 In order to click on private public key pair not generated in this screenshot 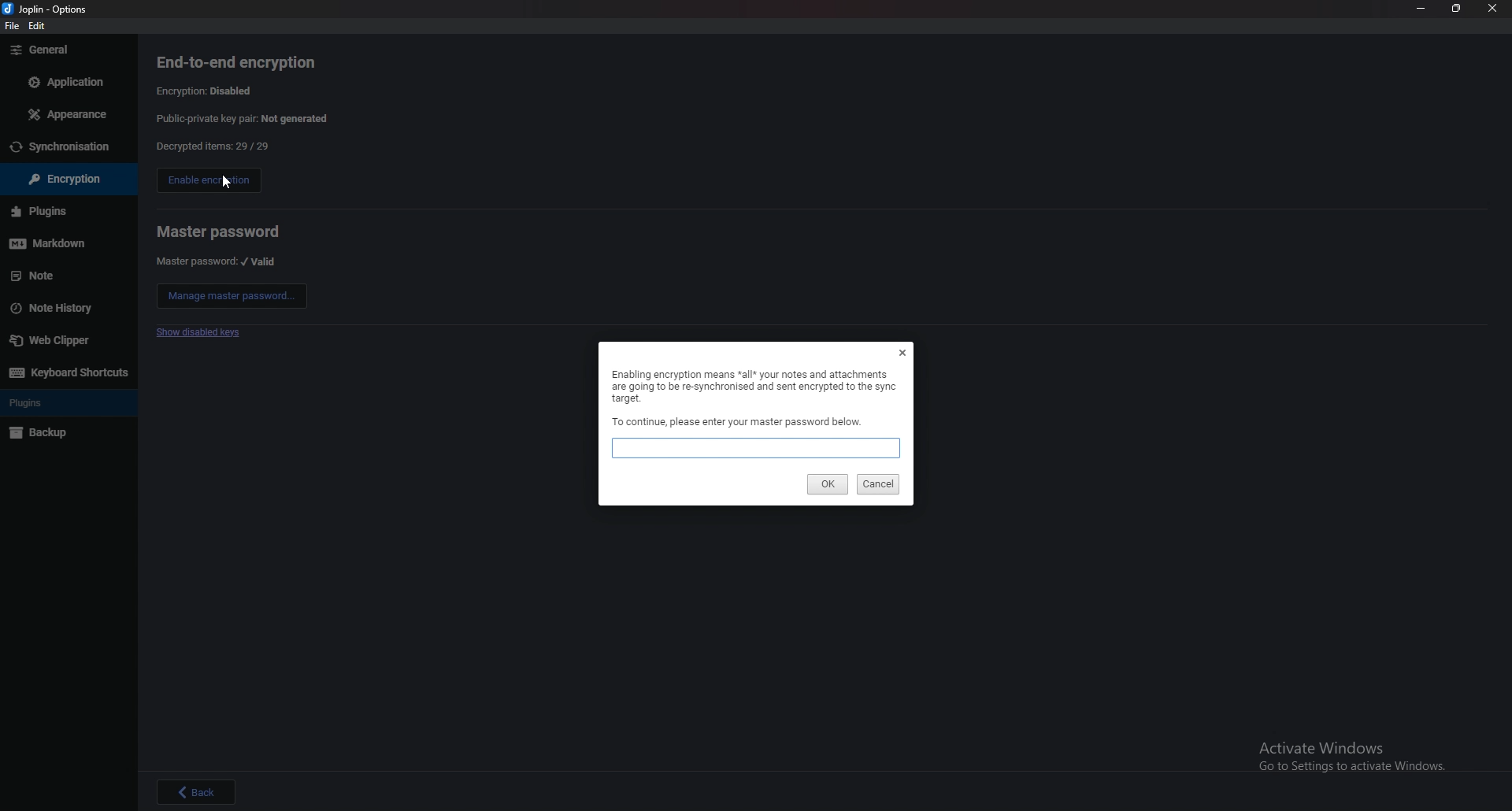, I will do `click(245, 120)`.